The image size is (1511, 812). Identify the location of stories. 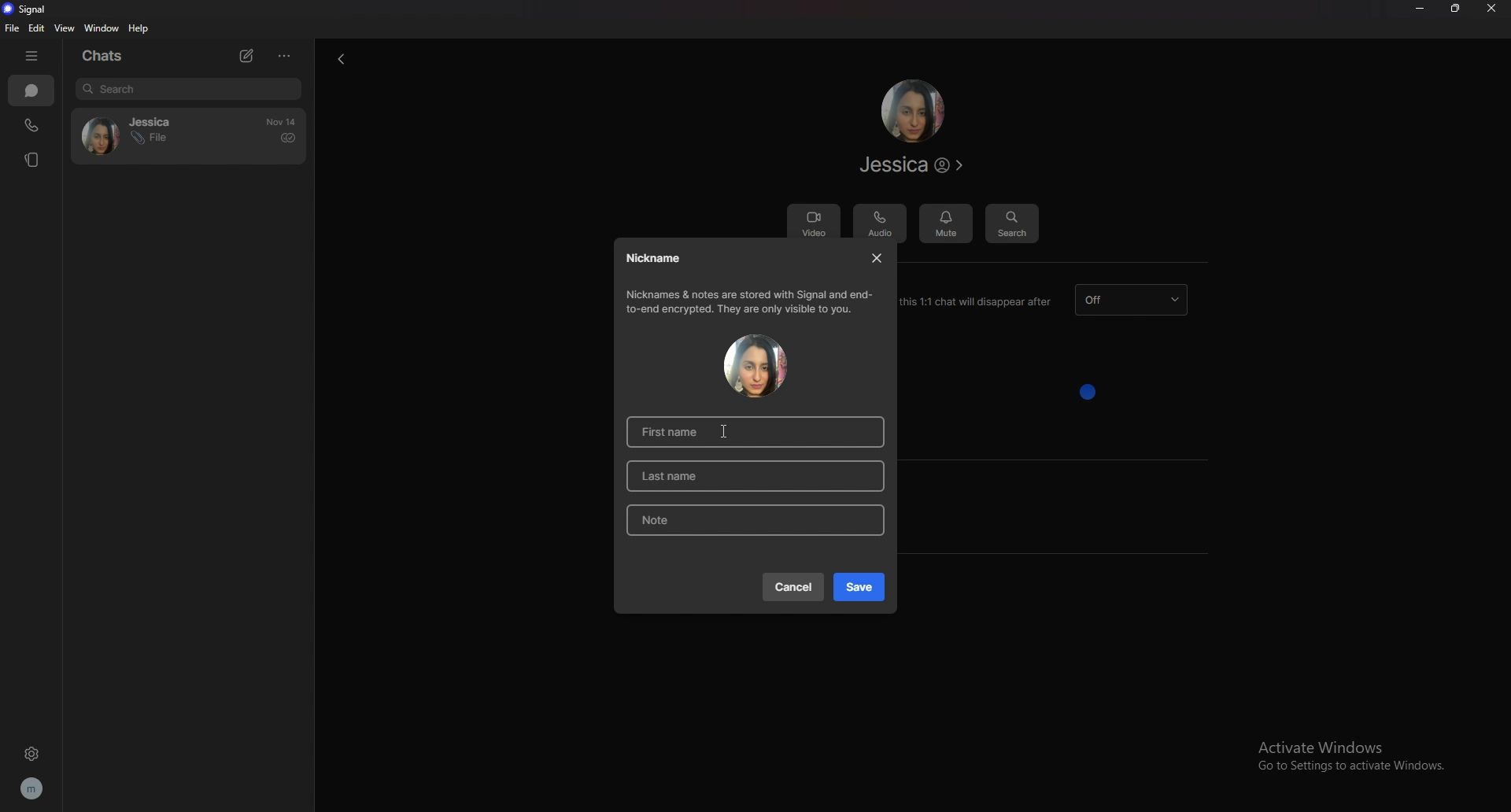
(29, 160).